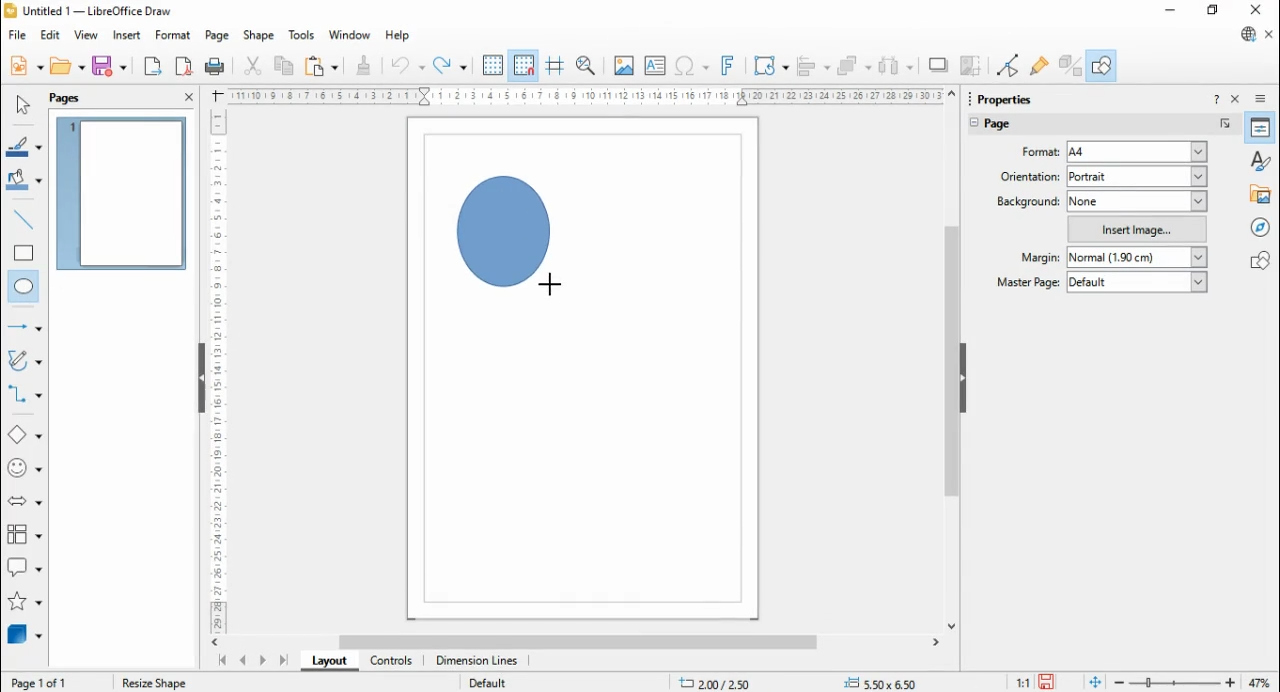 The width and height of the screenshot is (1280, 692). Describe the element at coordinates (1041, 65) in the screenshot. I see `show glue point functions` at that location.